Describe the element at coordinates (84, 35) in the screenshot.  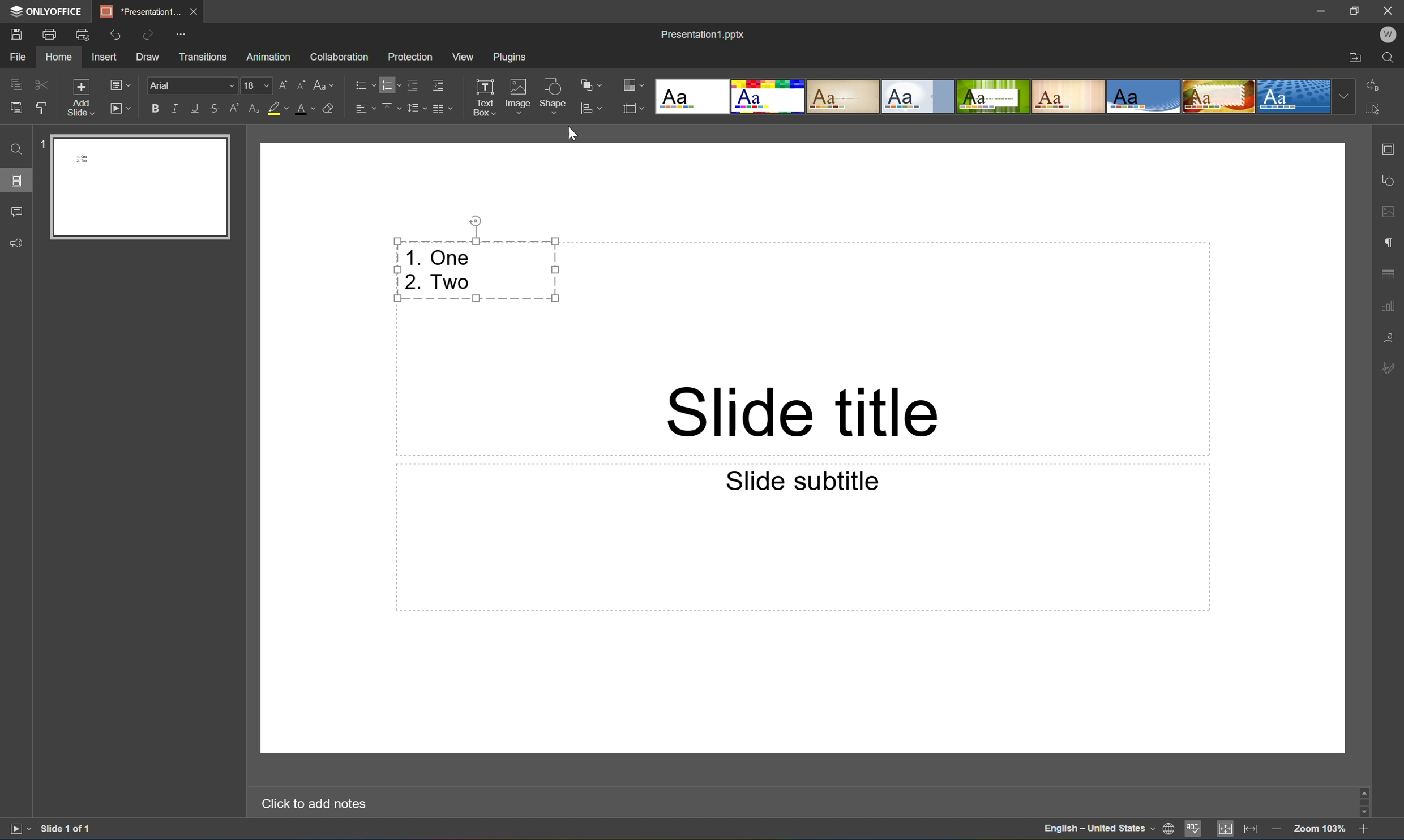
I see `Quick print` at that location.